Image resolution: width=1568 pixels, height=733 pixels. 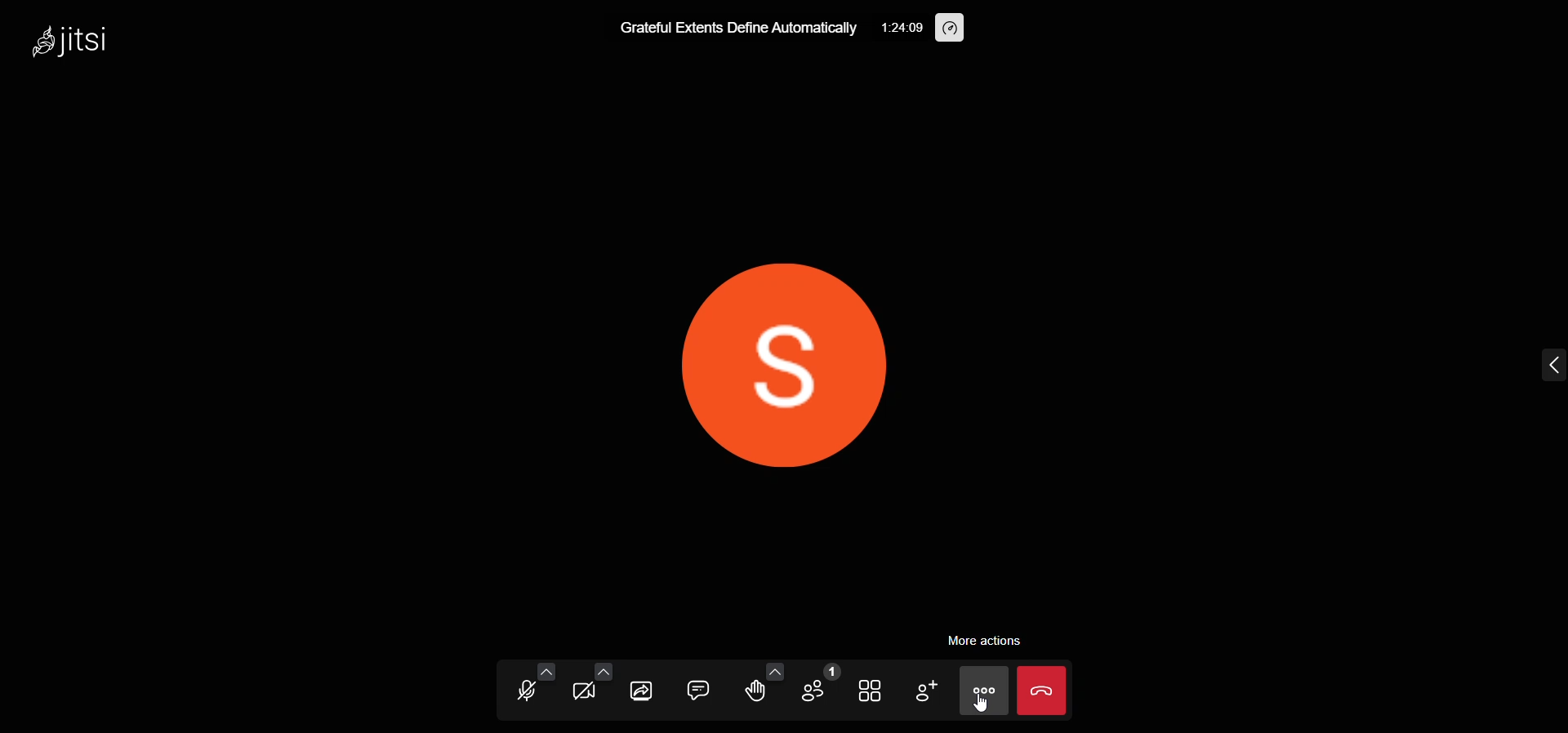 What do you see at coordinates (544, 670) in the screenshot?
I see `audio setting` at bounding box center [544, 670].